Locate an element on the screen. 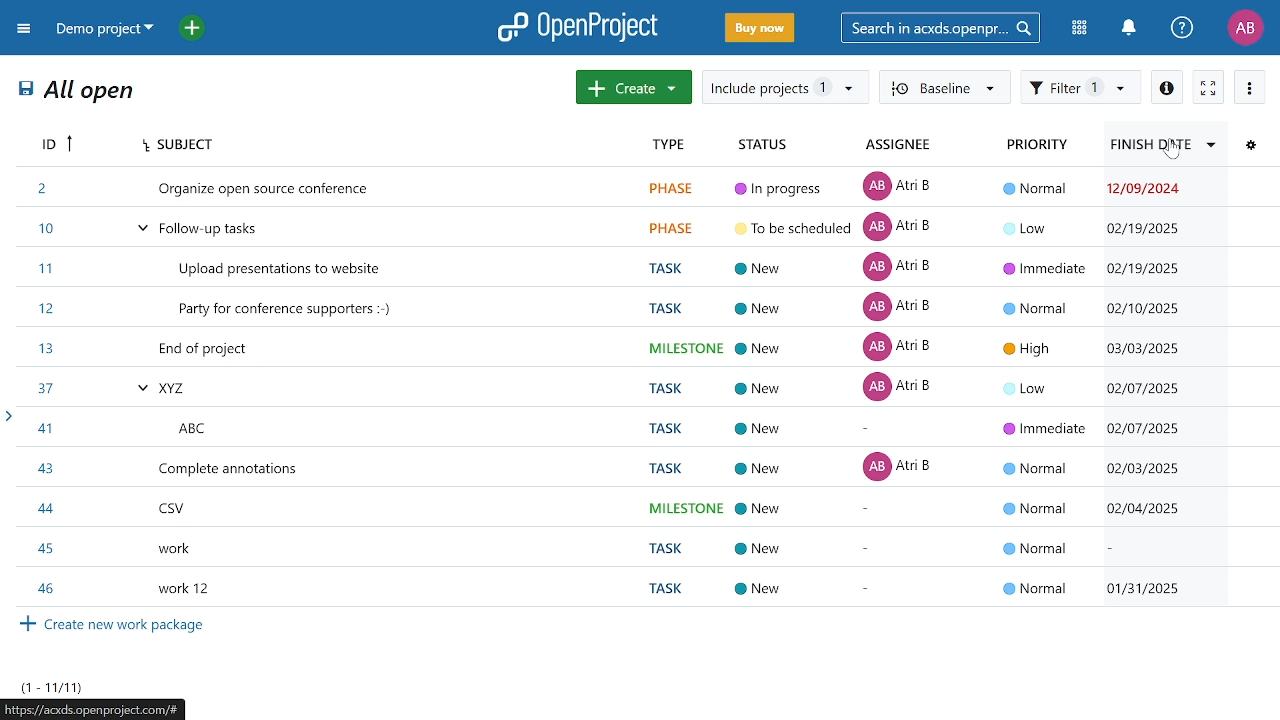 This screenshot has width=1280, height=720. more options is located at coordinates (1250, 87).